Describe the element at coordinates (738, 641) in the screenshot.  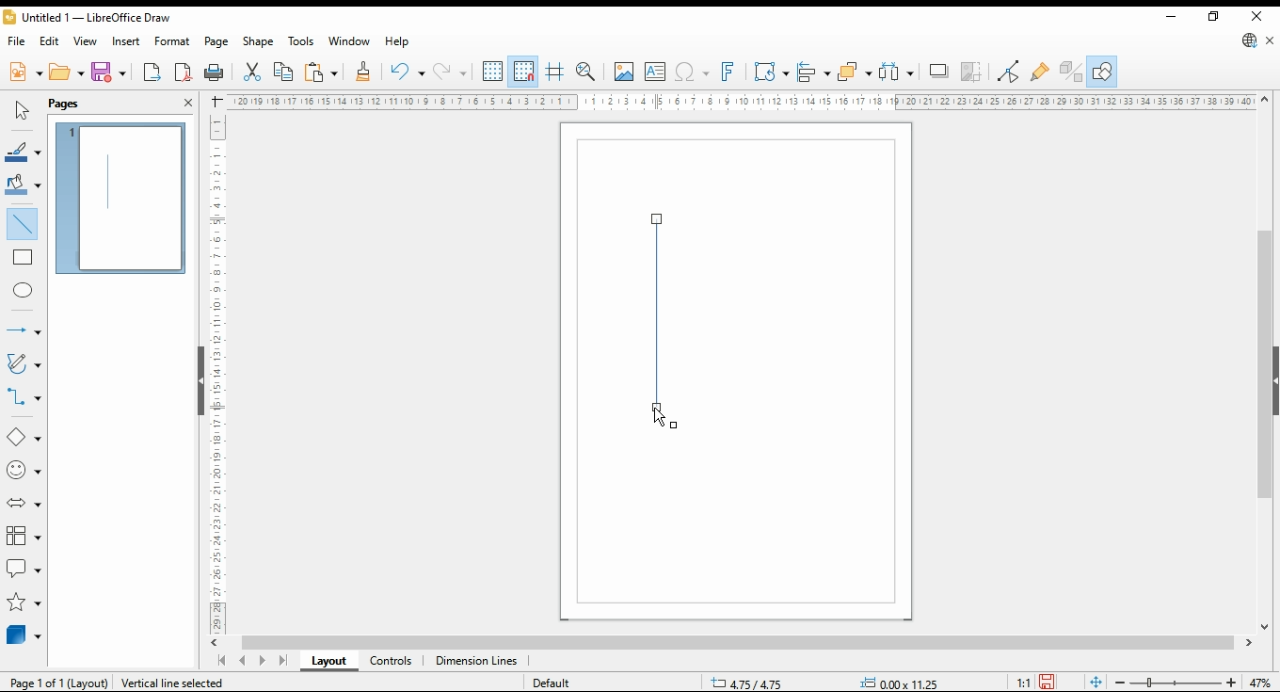
I see `scroll bar` at that location.